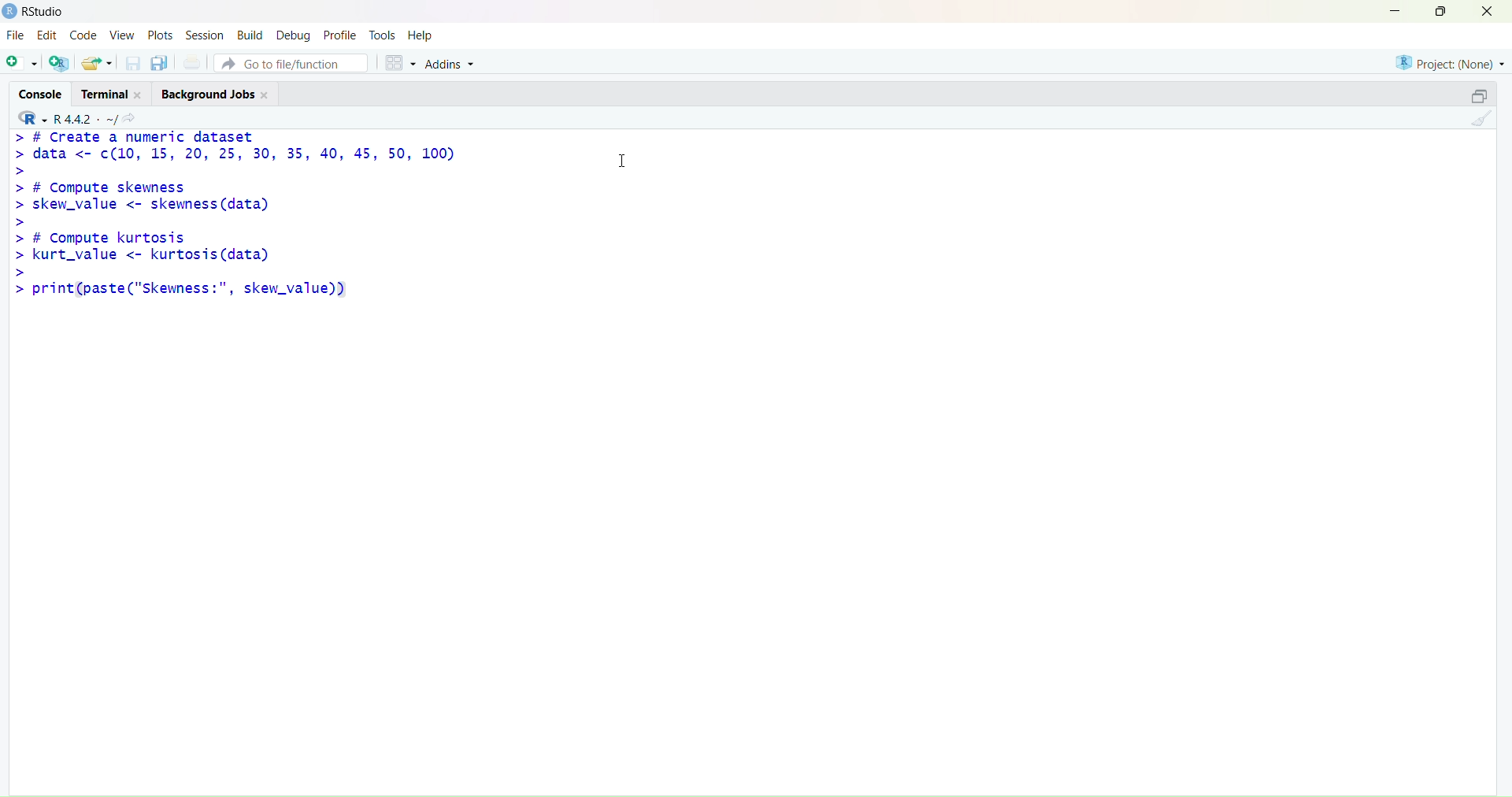 This screenshot has width=1512, height=797. What do you see at coordinates (161, 35) in the screenshot?
I see `Plots` at bounding box center [161, 35].